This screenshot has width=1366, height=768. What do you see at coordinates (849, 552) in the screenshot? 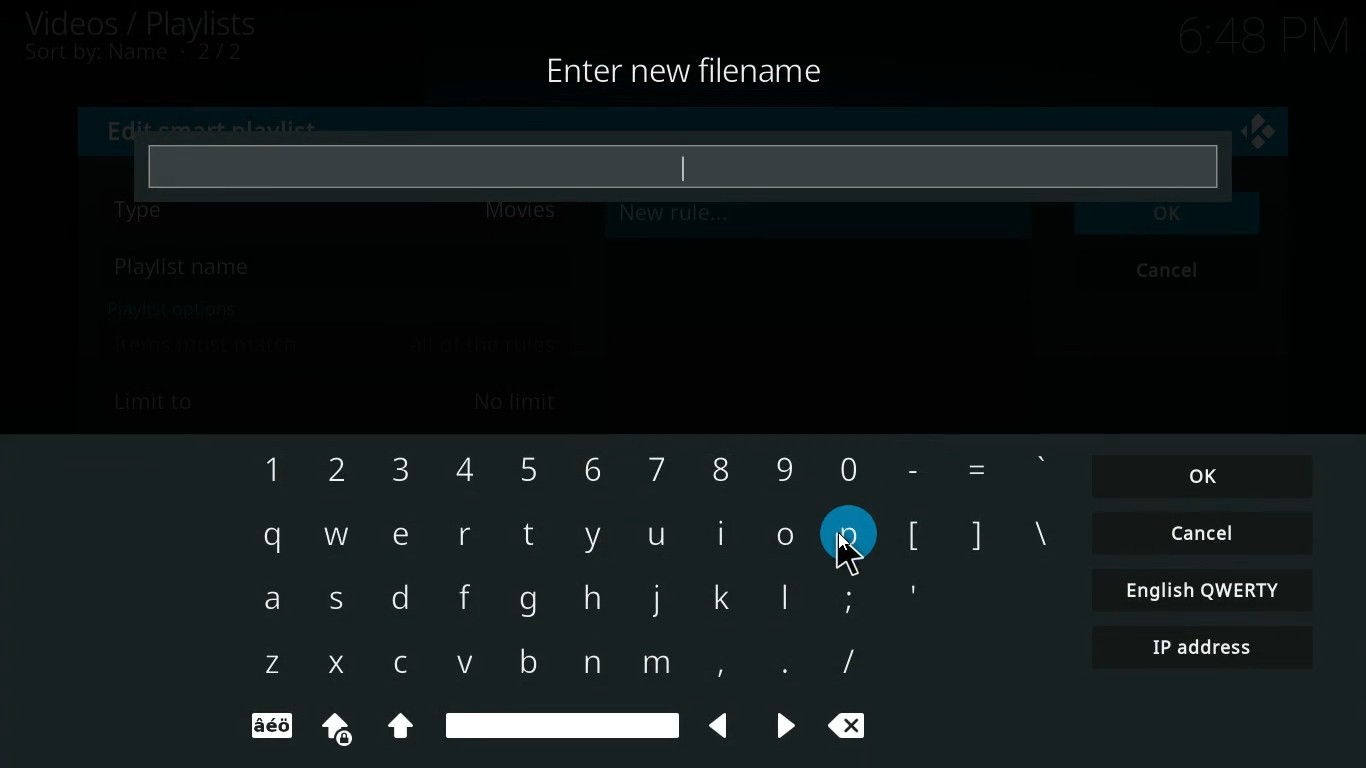
I see `cursor` at bounding box center [849, 552].